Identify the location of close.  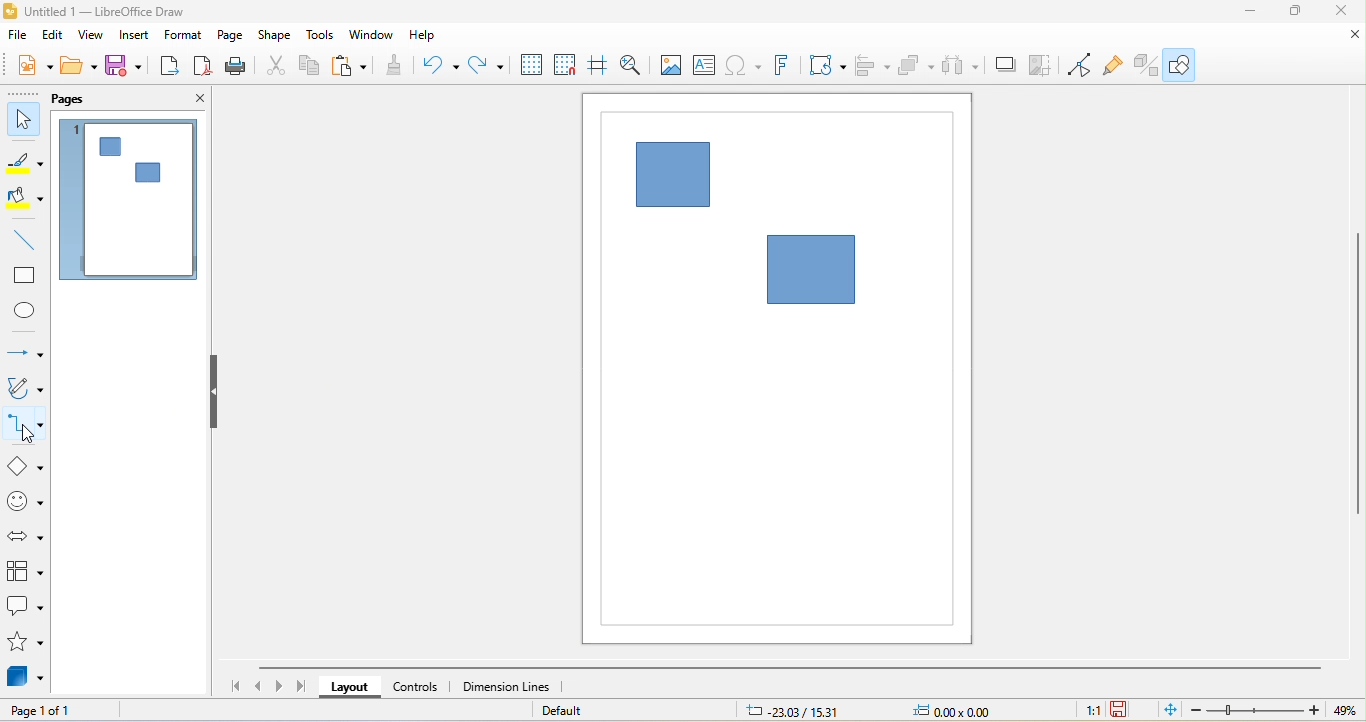
(1351, 34).